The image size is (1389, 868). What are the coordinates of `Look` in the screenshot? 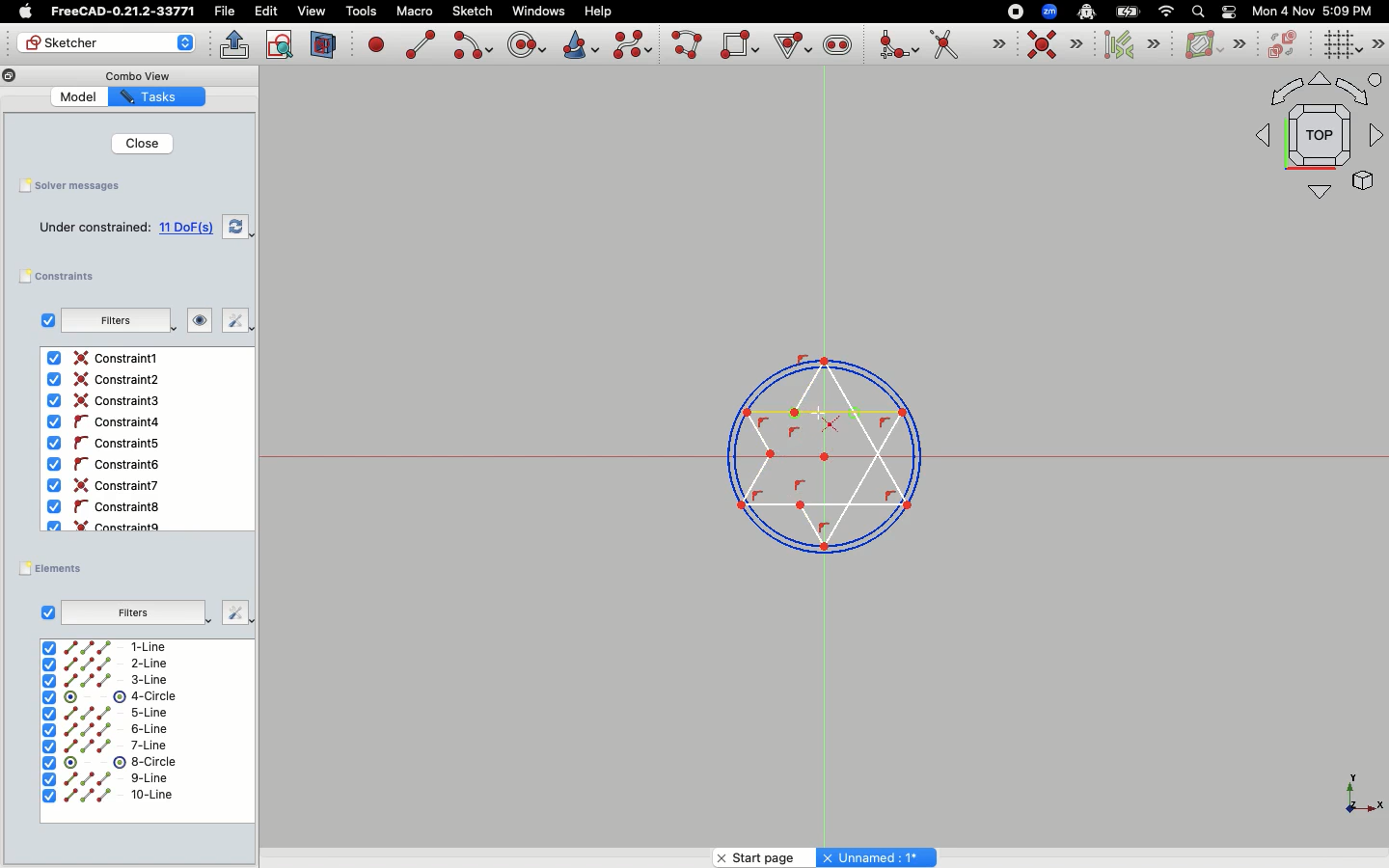 It's located at (194, 322).